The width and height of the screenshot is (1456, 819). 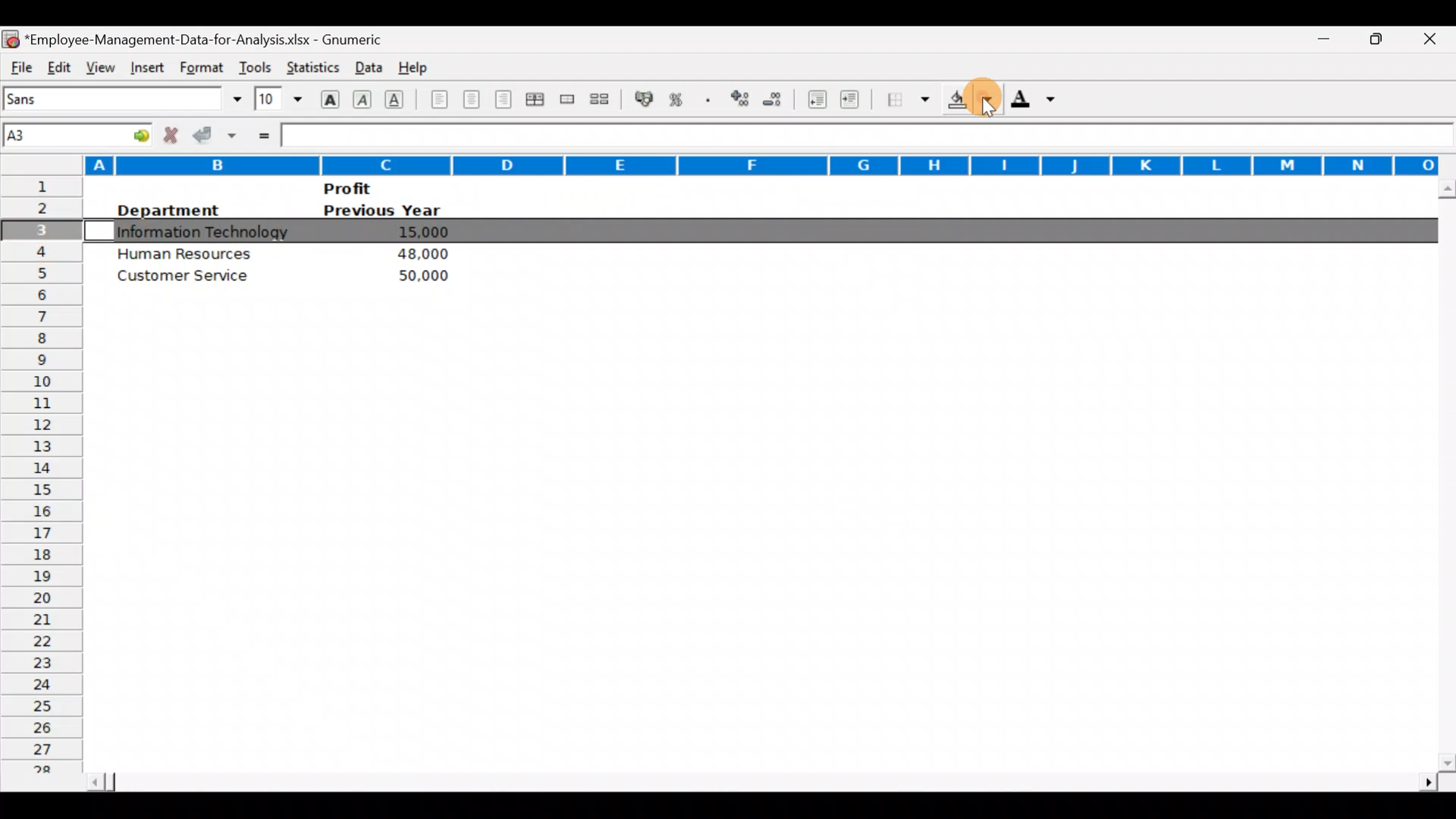 I want to click on Increase decimals, so click(x=742, y=98).